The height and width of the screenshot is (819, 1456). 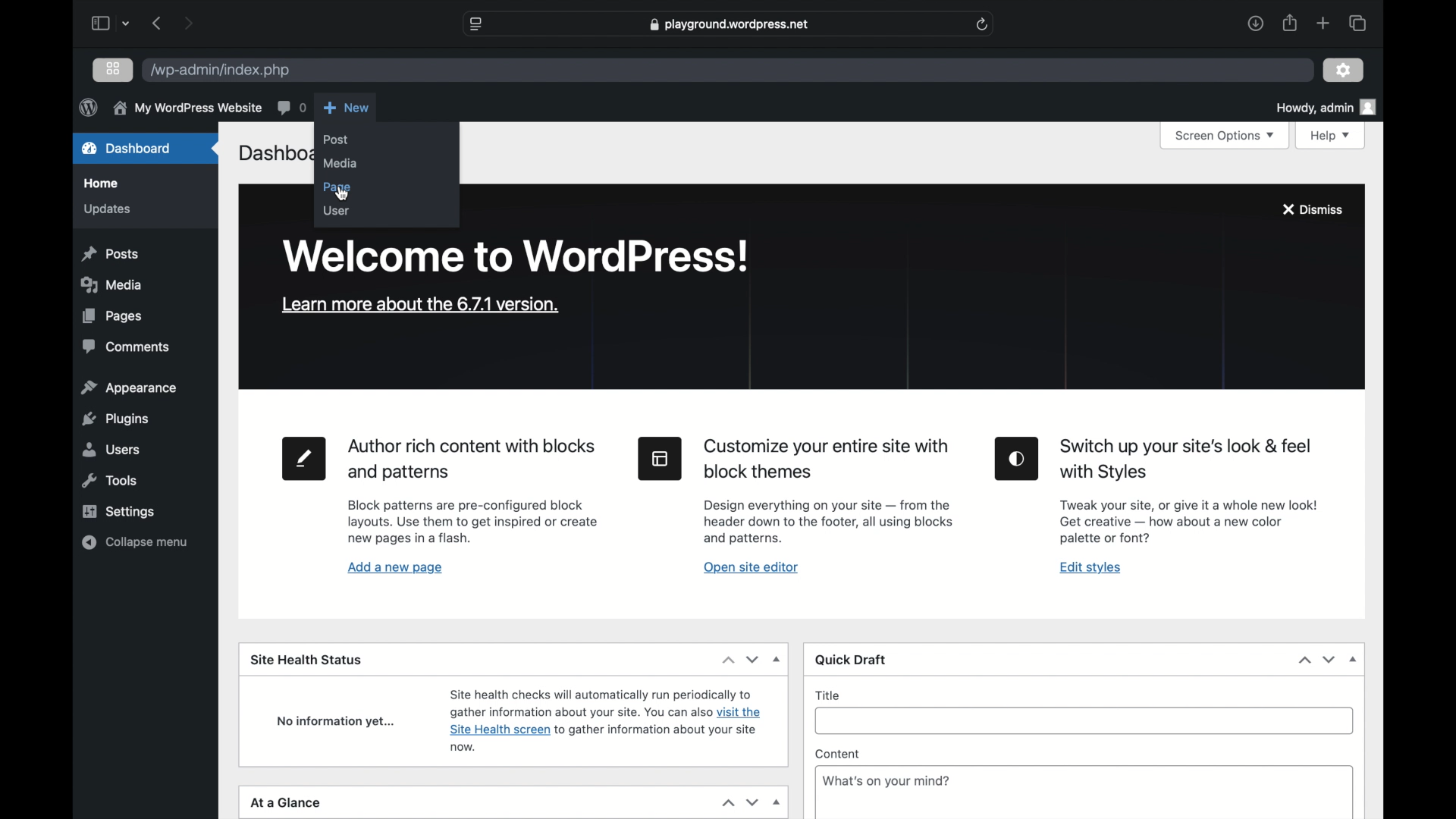 What do you see at coordinates (88, 107) in the screenshot?
I see `wordpress` at bounding box center [88, 107].